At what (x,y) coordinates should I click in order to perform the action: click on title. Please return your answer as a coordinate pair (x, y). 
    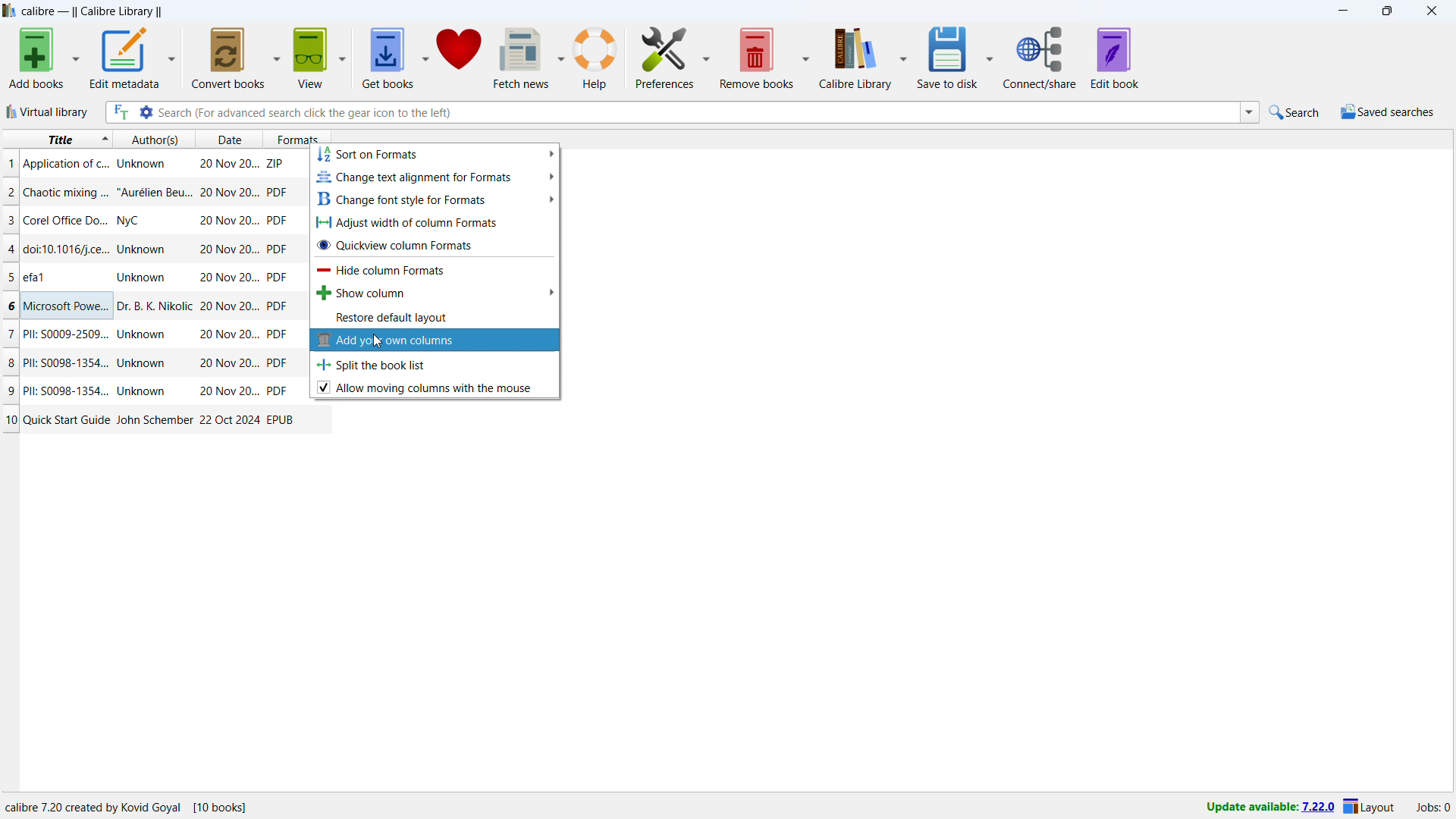
    Looking at the image, I should click on (66, 165).